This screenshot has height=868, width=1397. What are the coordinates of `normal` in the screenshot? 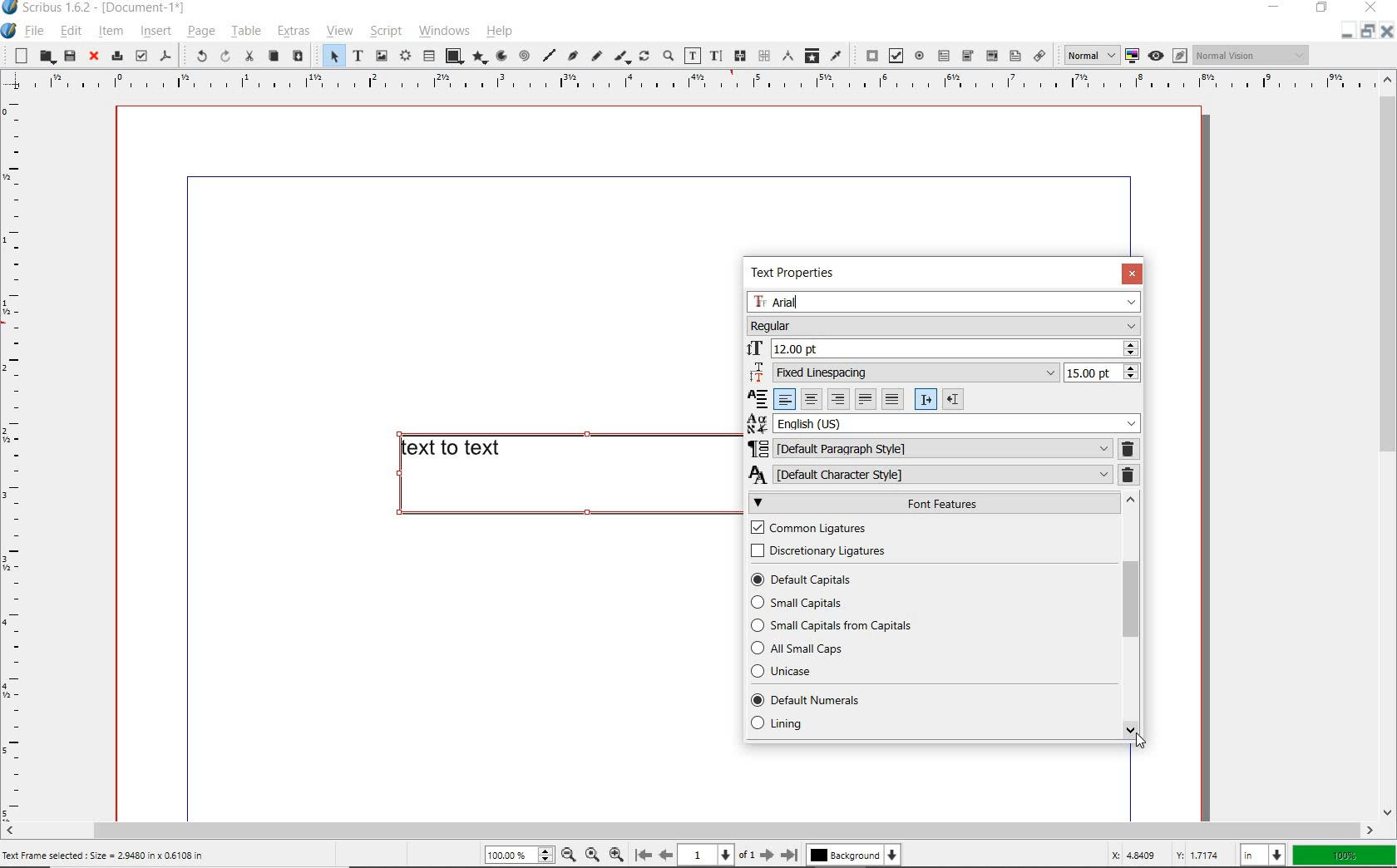 It's located at (1088, 55).